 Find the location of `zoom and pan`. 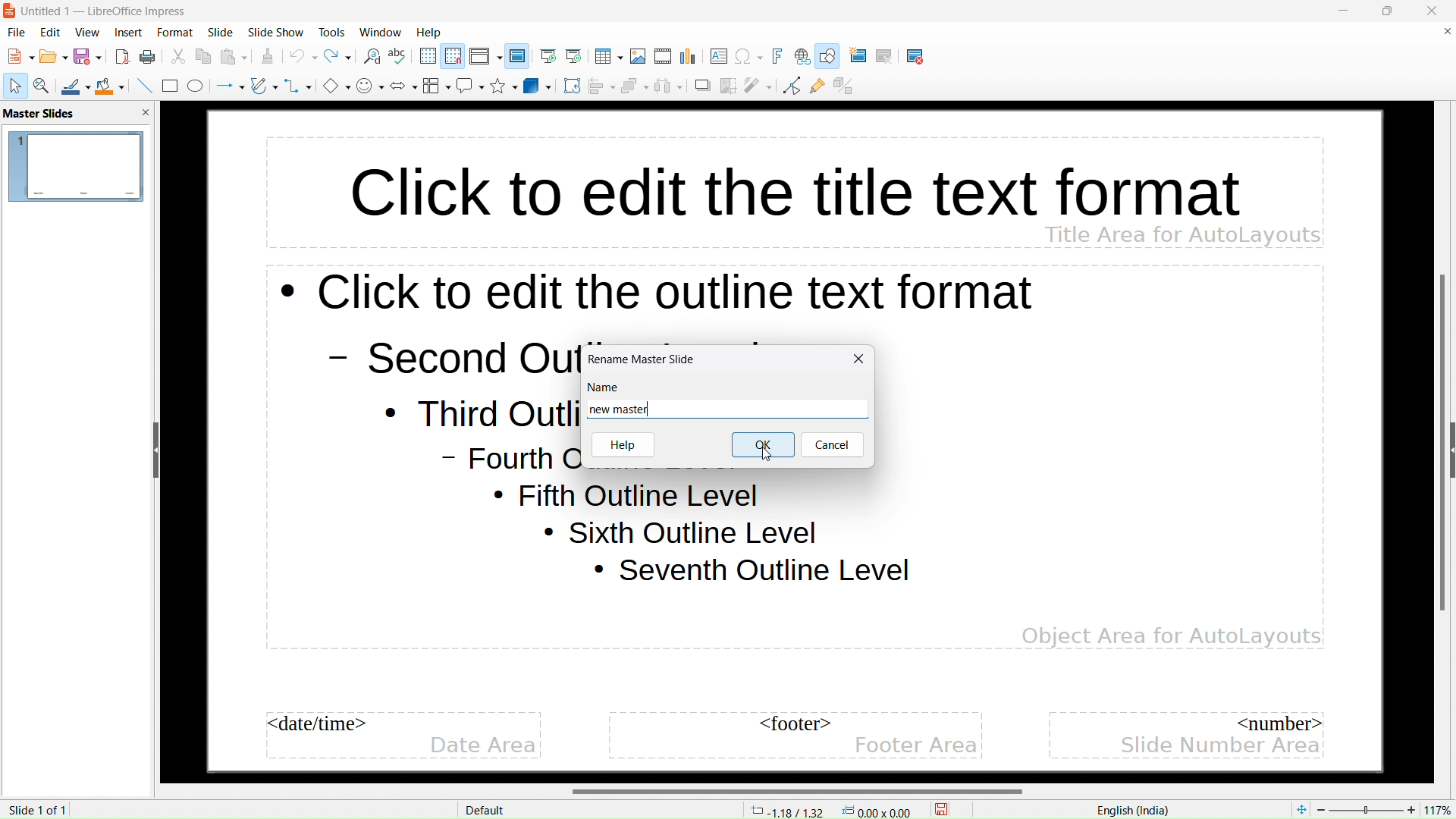

zoom and pan is located at coordinates (42, 85).